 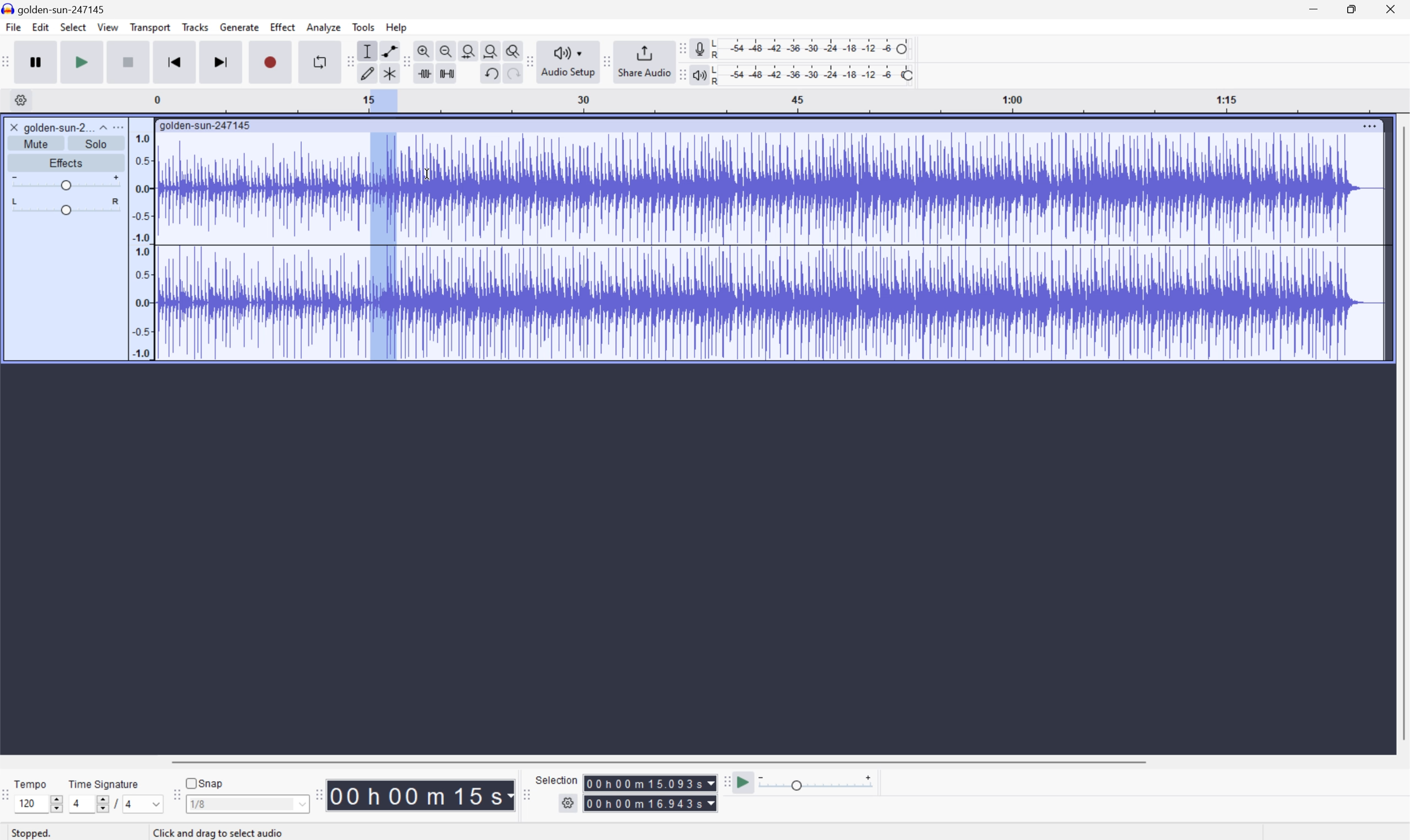 What do you see at coordinates (697, 76) in the screenshot?
I see `Playback meter` at bounding box center [697, 76].